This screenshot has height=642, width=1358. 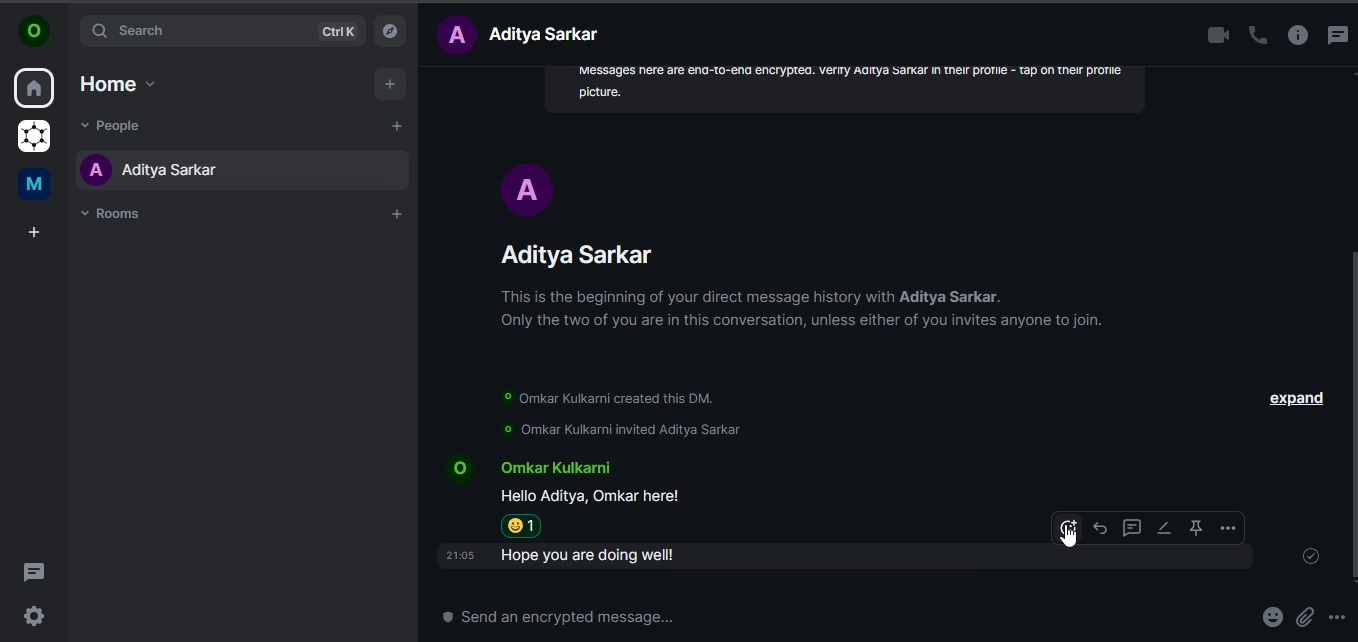 What do you see at coordinates (850, 87) in the screenshot?
I see `‘Messages nere are enc-10-ena encrypea. veriry Aaitya Safar in their profile - tap on their profile.
picture.` at bounding box center [850, 87].